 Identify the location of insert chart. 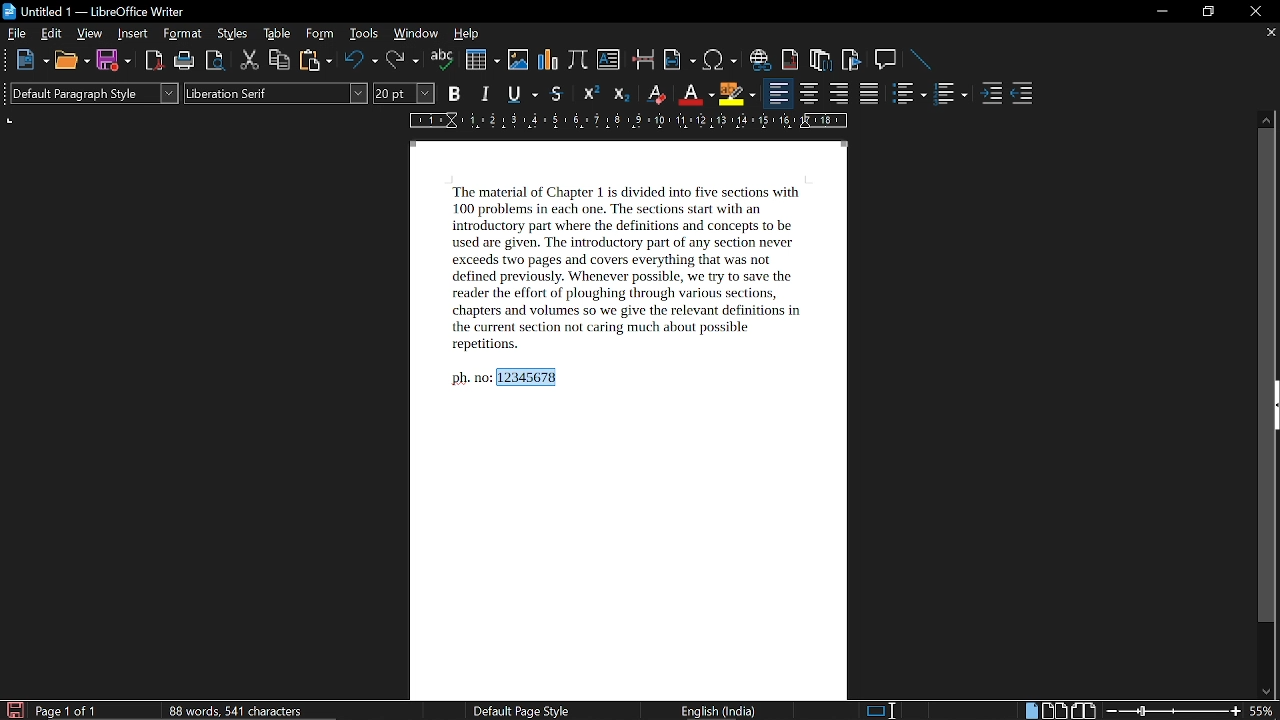
(547, 59).